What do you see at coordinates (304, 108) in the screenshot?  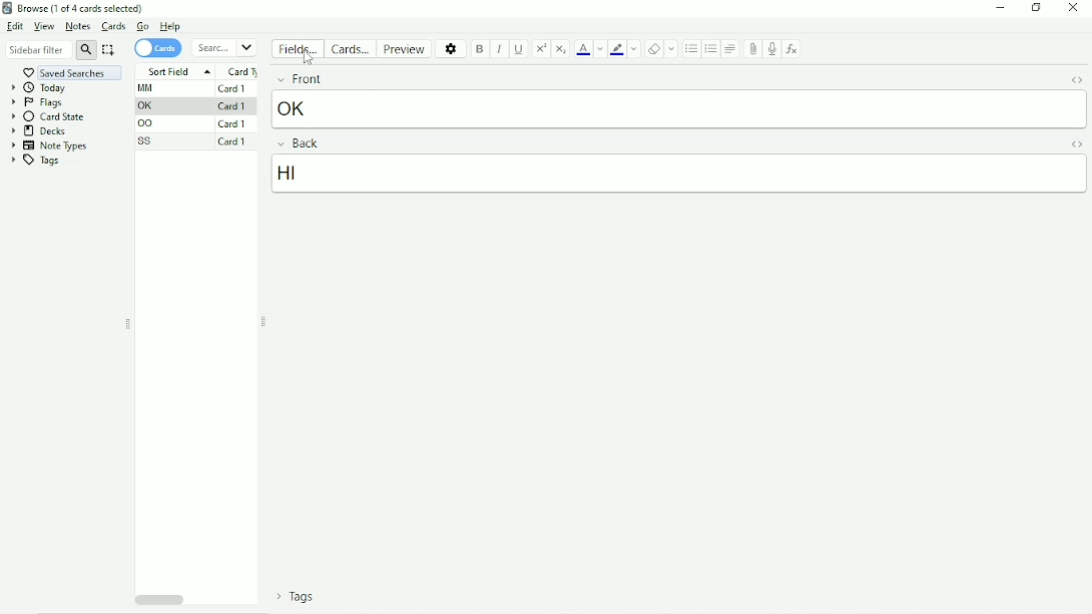 I see `ok` at bounding box center [304, 108].